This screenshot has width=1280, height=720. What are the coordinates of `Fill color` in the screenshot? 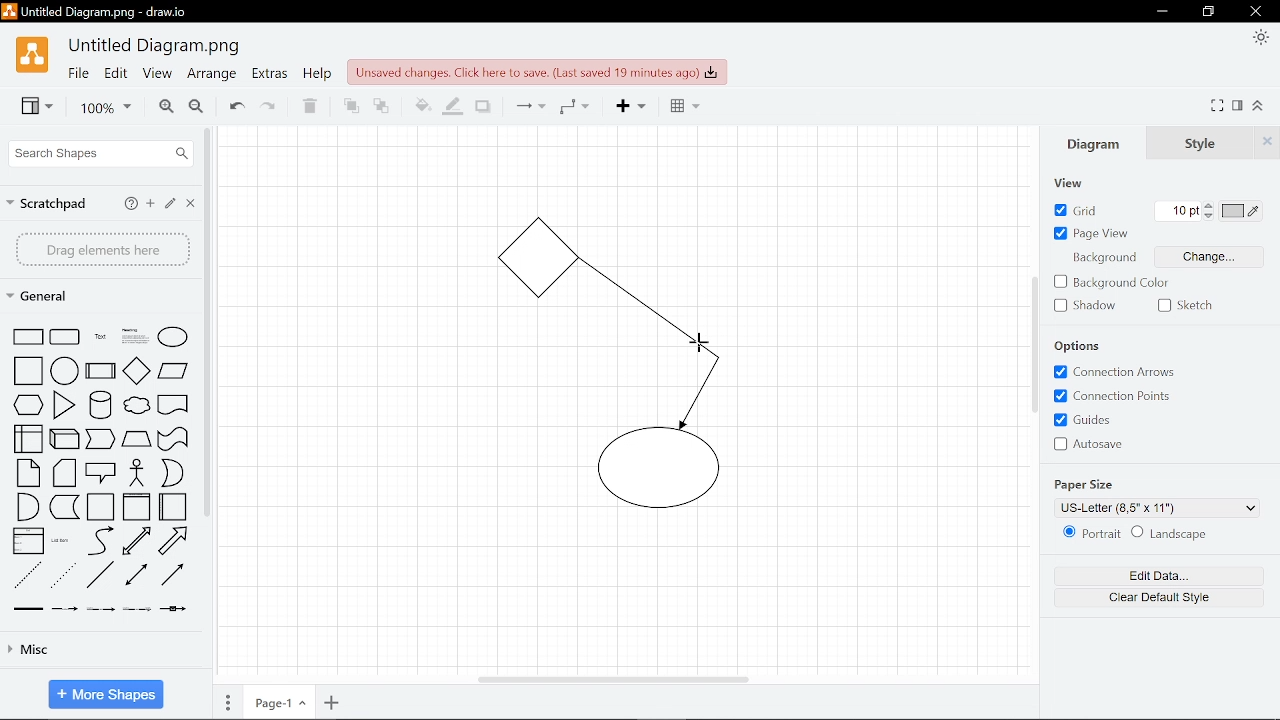 It's located at (418, 104).